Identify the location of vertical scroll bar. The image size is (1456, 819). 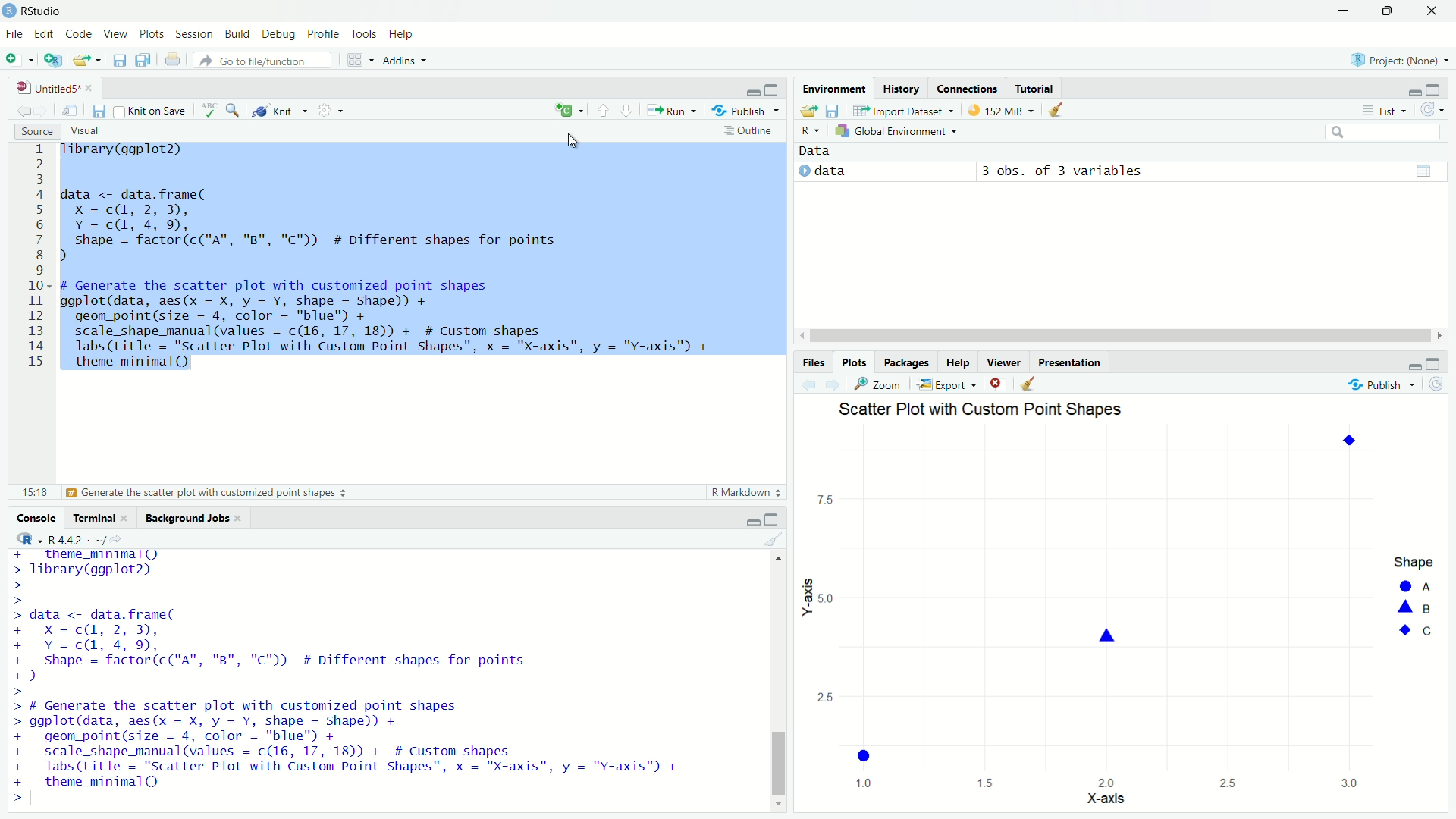
(779, 682).